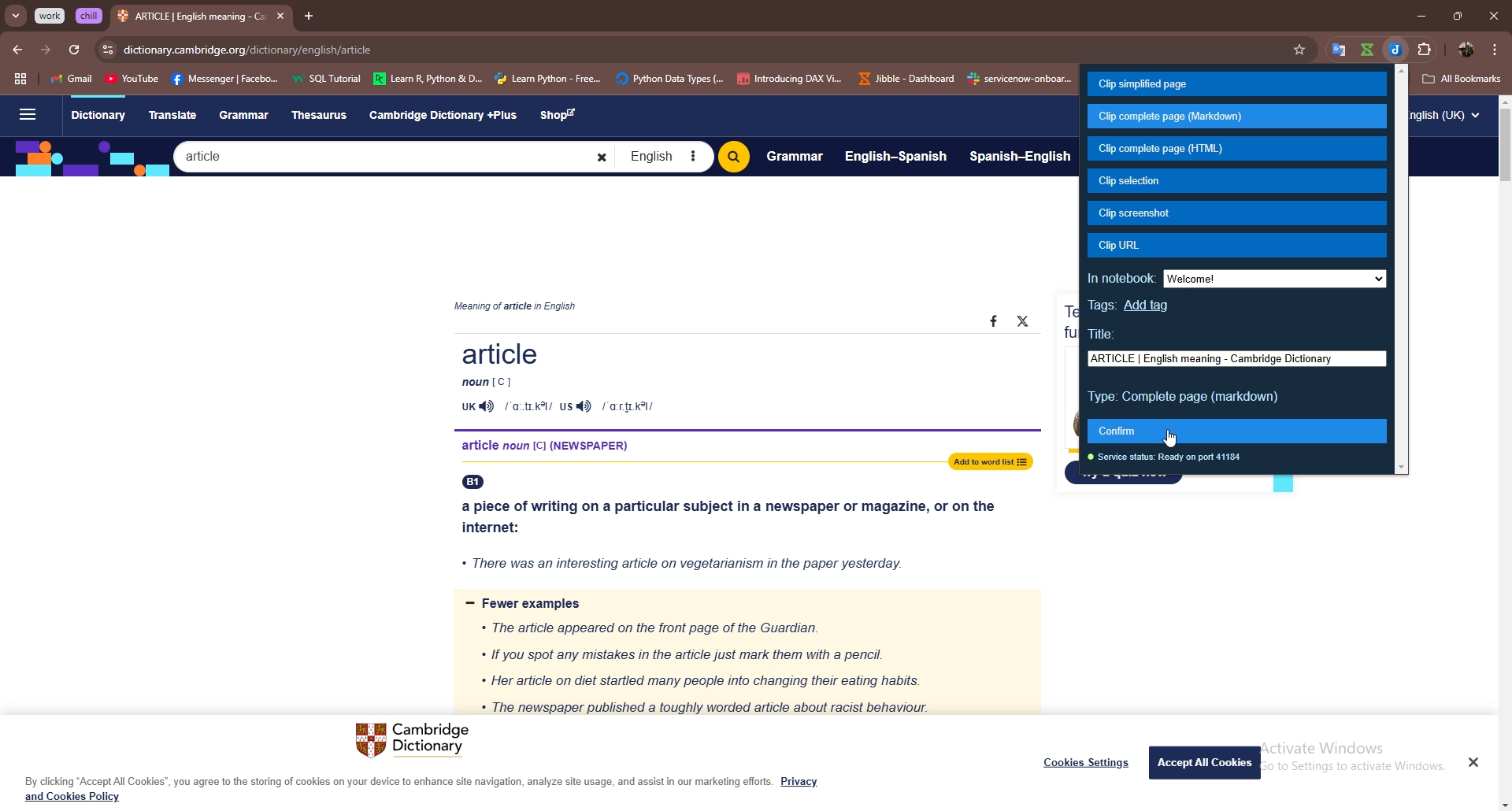 Image resolution: width=1512 pixels, height=811 pixels. What do you see at coordinates (1236, 246) in the screenshot?
I see `clip url` at bounding box center [1236, 246].